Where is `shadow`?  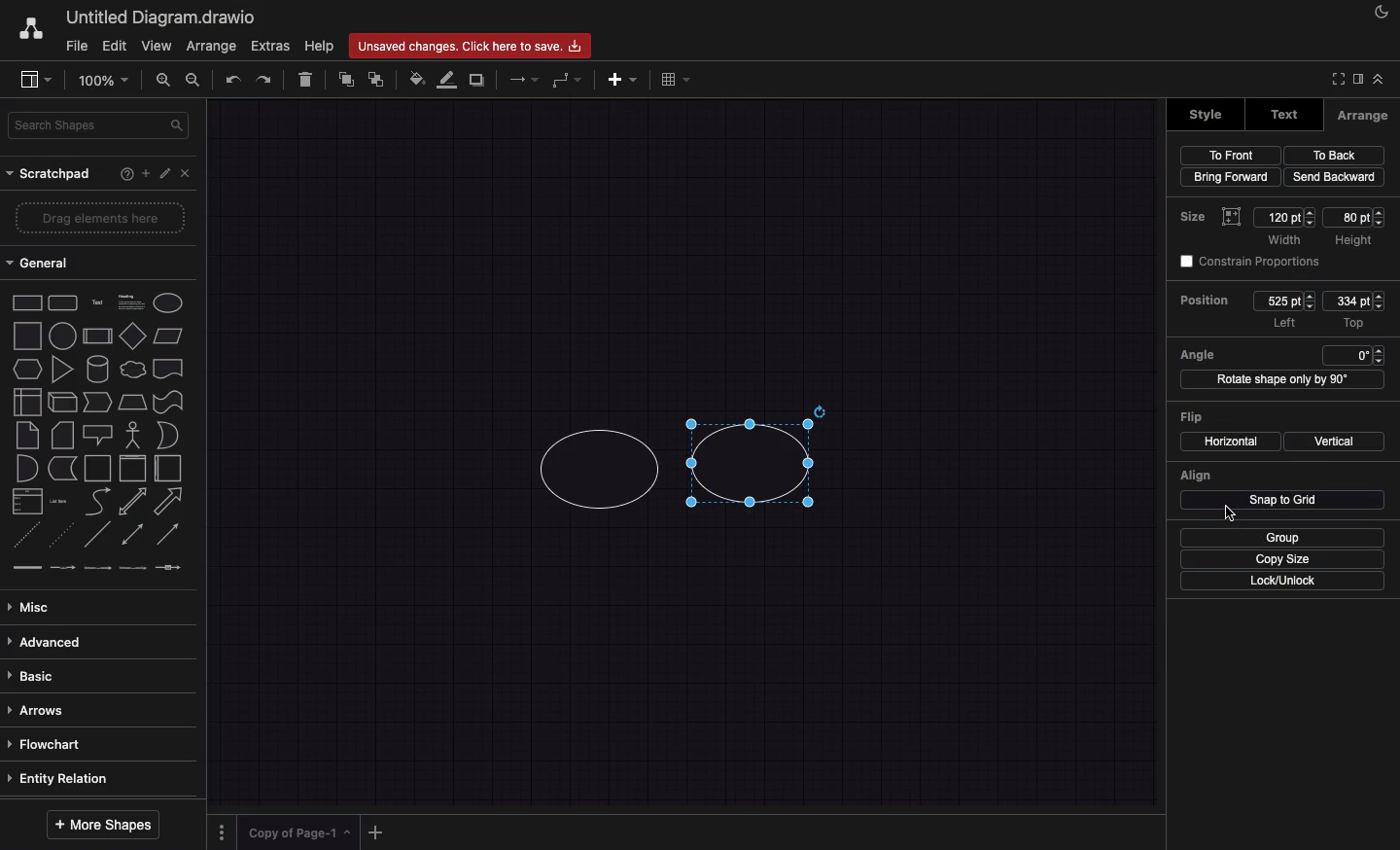 shadow is located at coordinates (478, 79).